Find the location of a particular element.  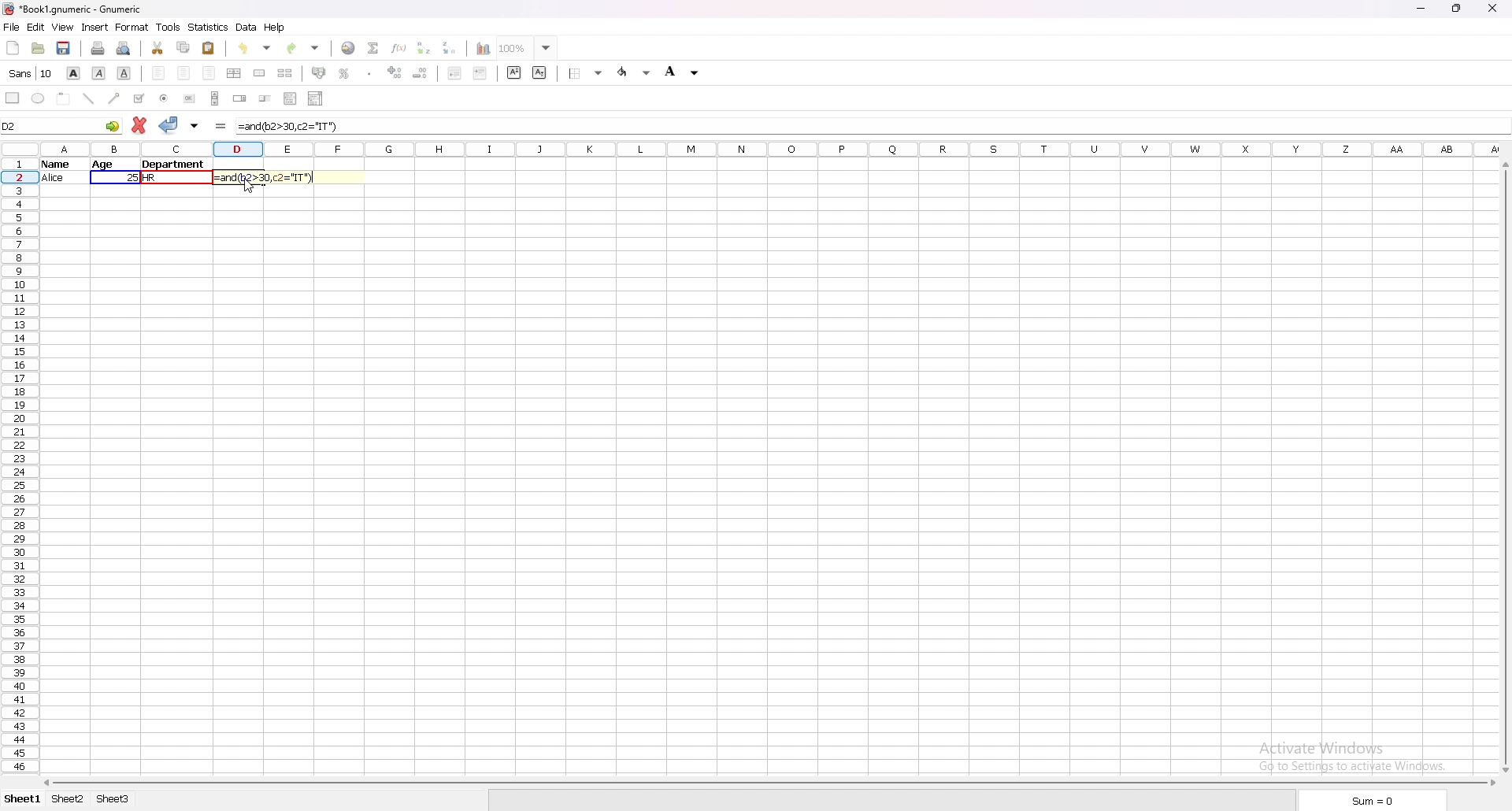

cut is located at coordinates (157, 48).